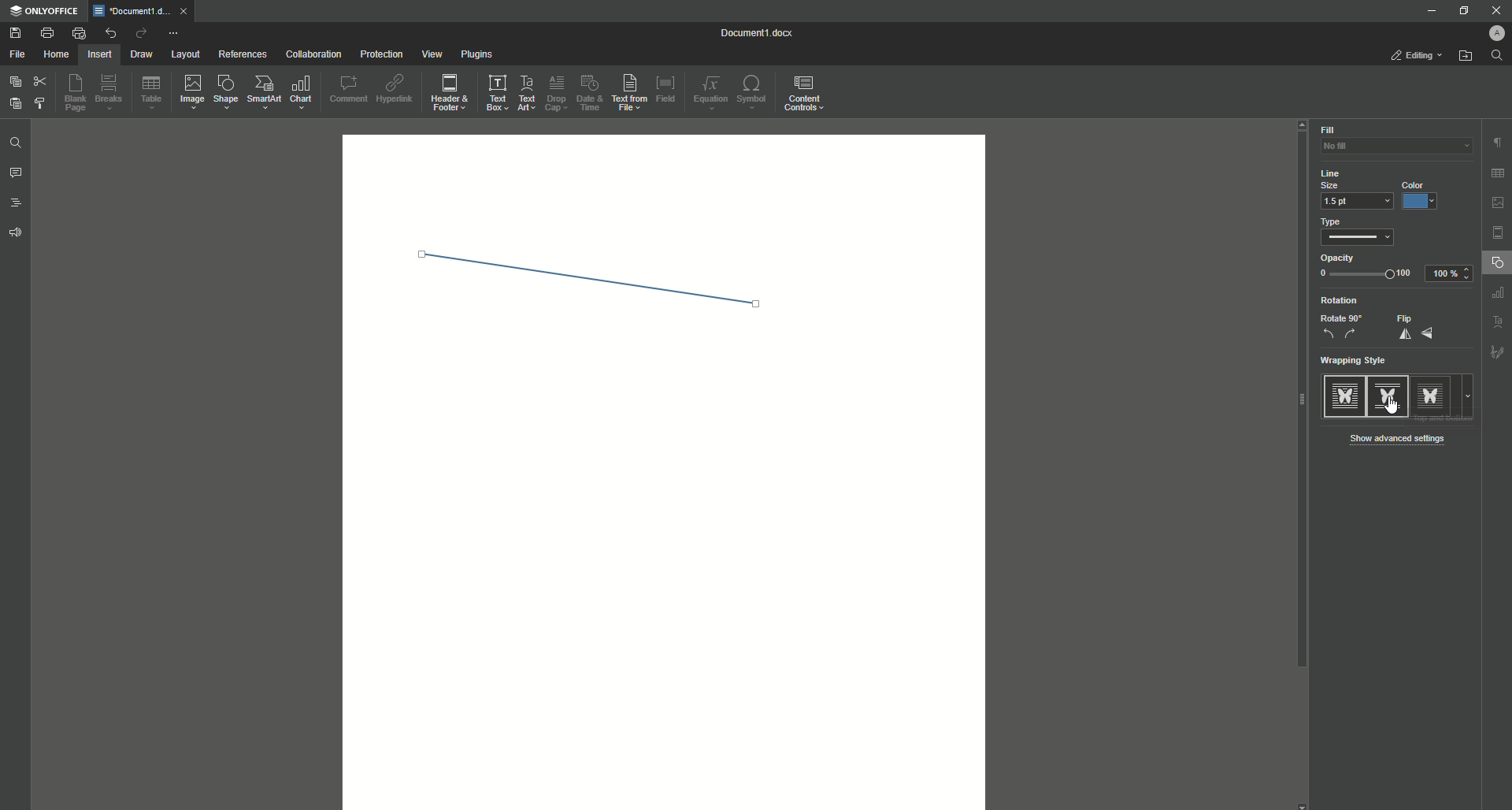  What do you see at coordinates (1358, 362) in the screenshot?
I see `Wrapping Style` at bounding box center [1358, 362].